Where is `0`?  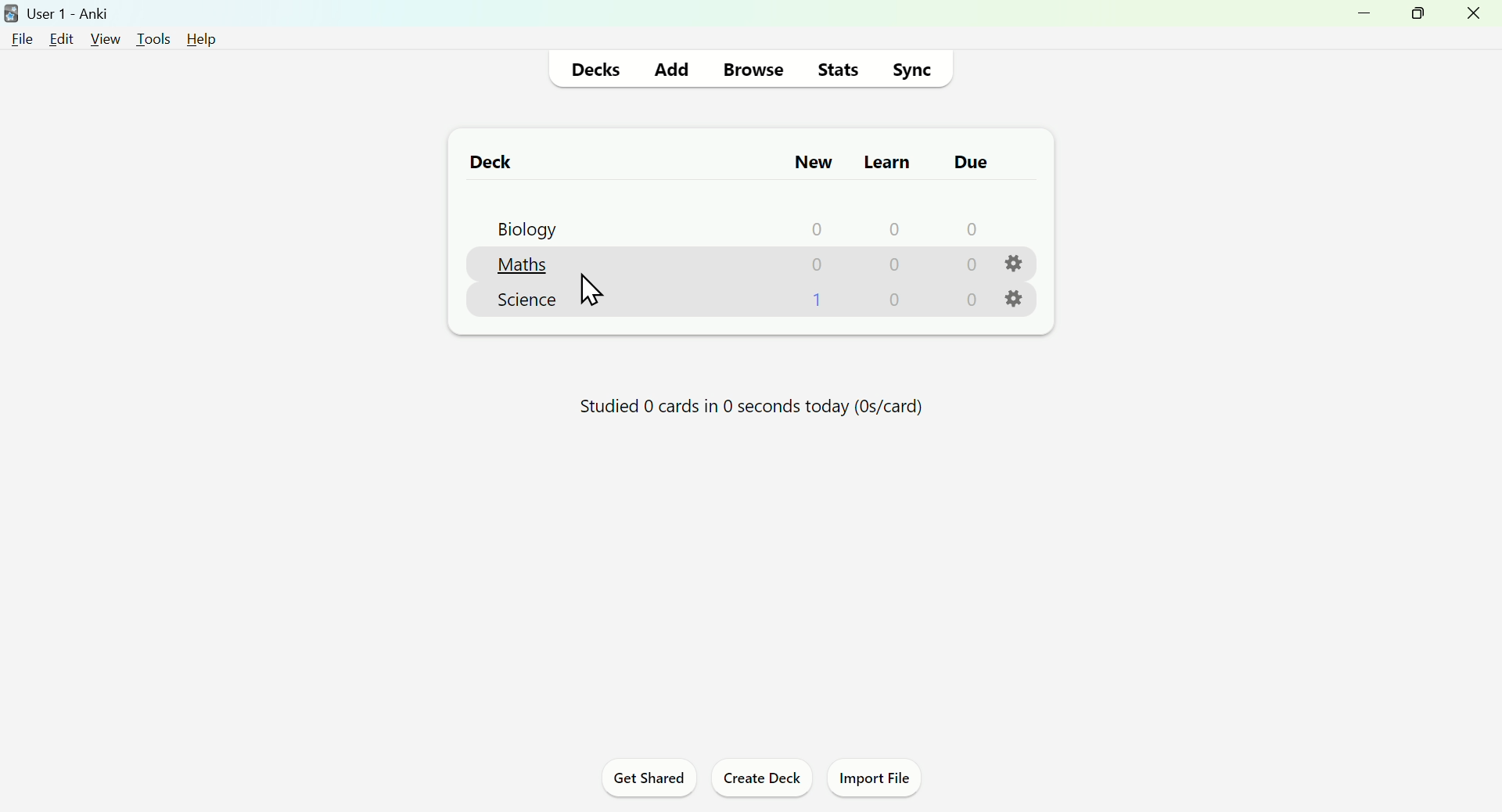 0 is located at coordinates (893, 228).